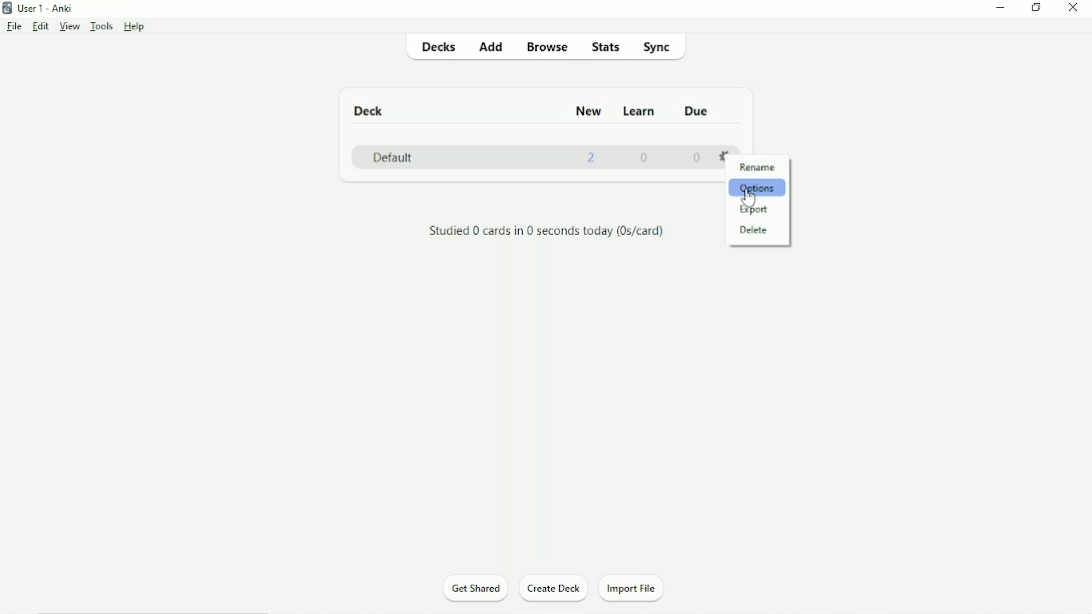 The height and width of the screenshot is (614, 1092). I want to click on Options, so click(758, 189).